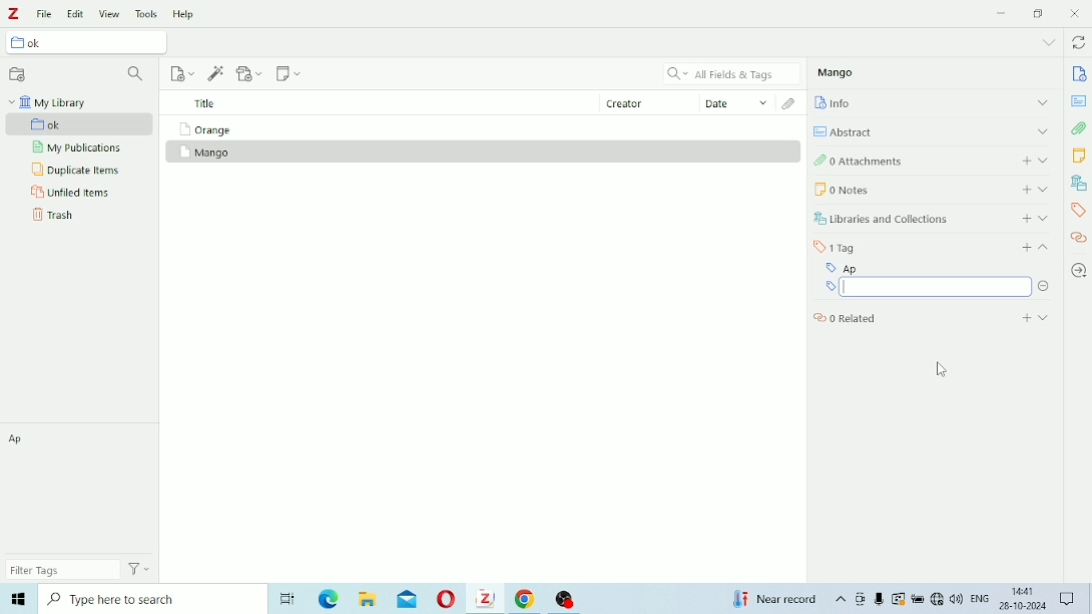 This screenshot has width=1092, height=614. Describe the element at coordinates (110, 14) in the screenshot. I see `View` at that location.